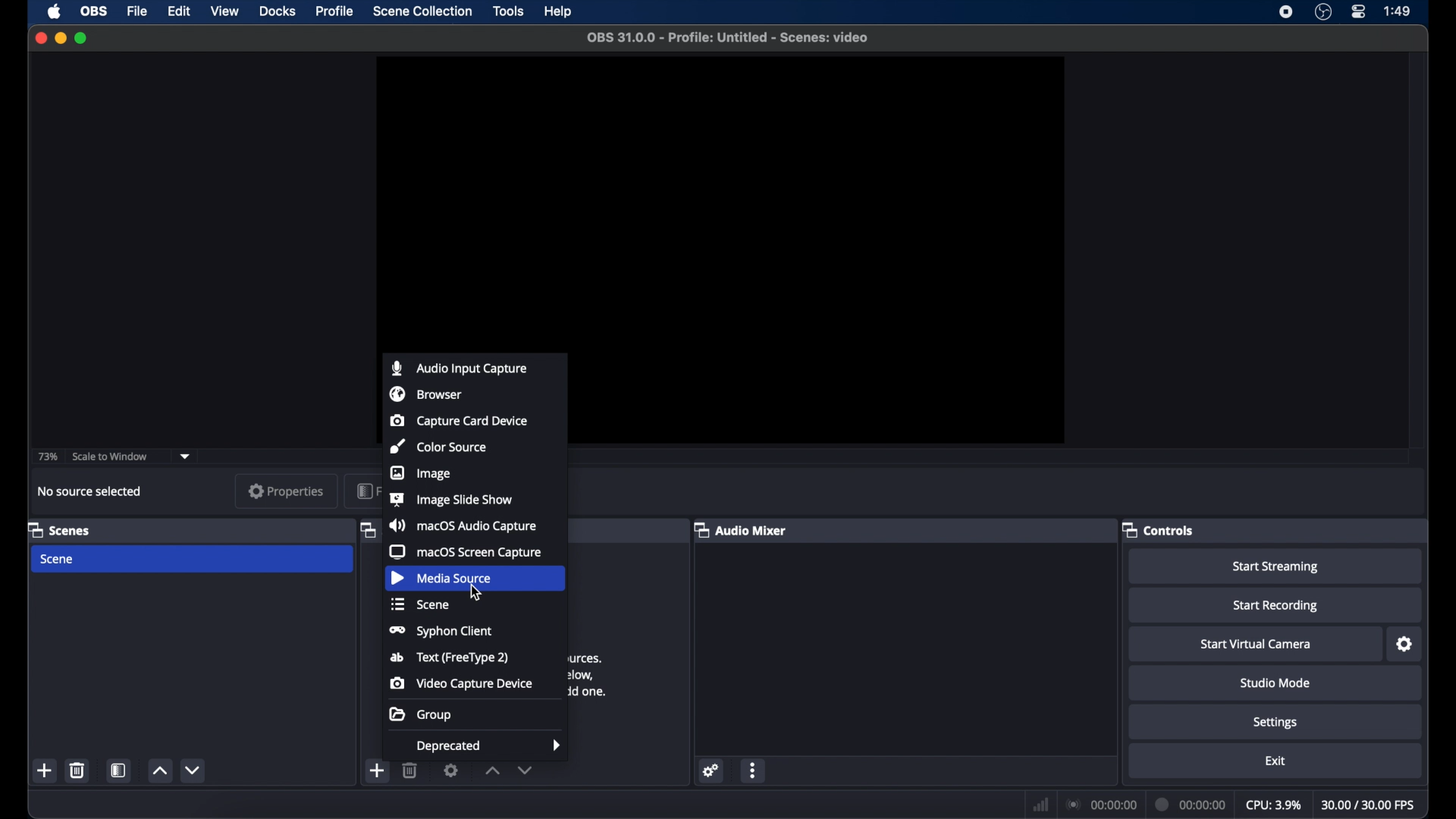 This screenshot has width=1456, height=819. What do you see at coordinates (194, 769) in the screenshot?
I see `decrement` at bounding box center [194, 769].